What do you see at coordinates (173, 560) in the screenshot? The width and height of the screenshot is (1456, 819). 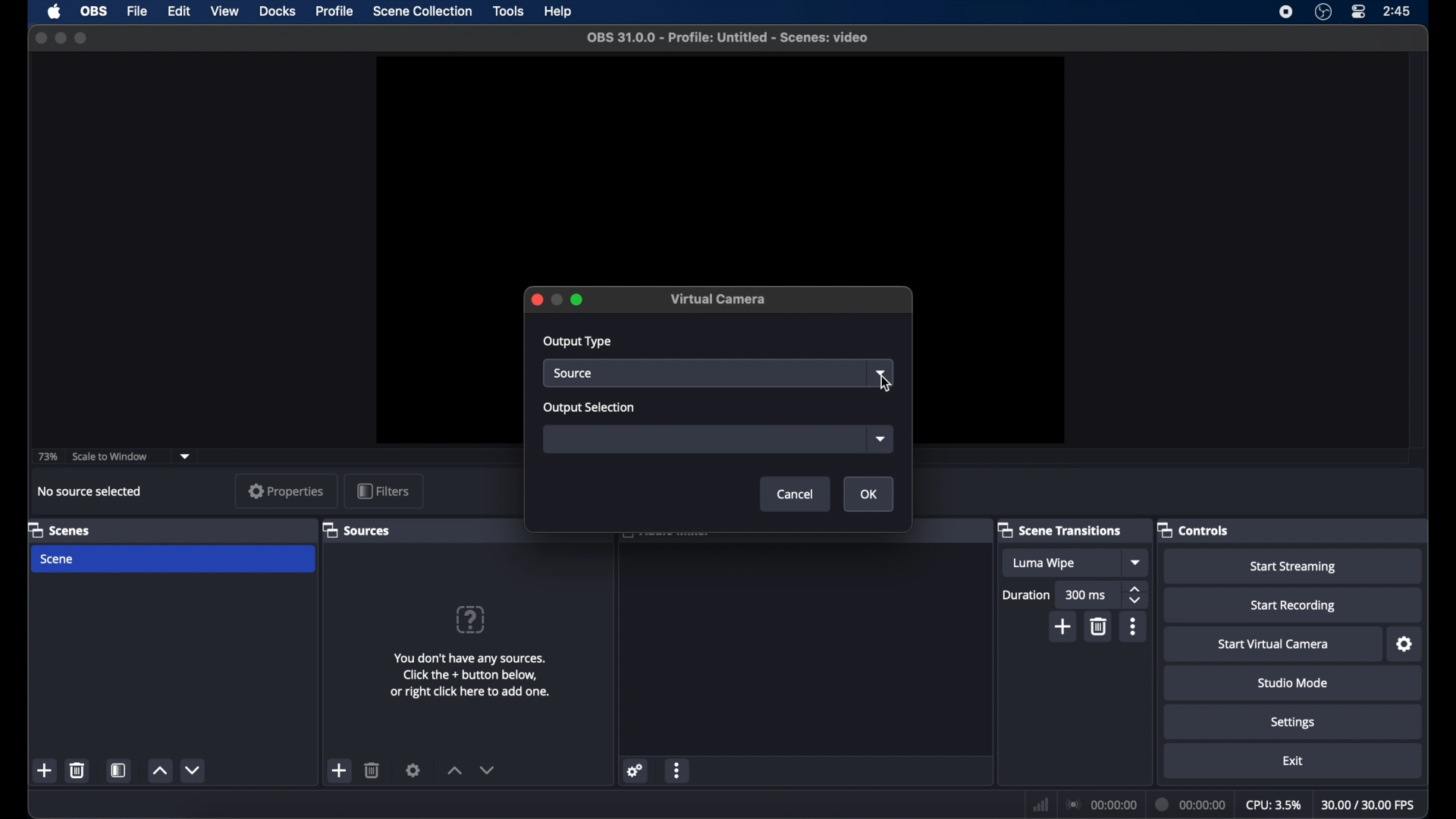 I see `scene` at bounding box center [173, 560].